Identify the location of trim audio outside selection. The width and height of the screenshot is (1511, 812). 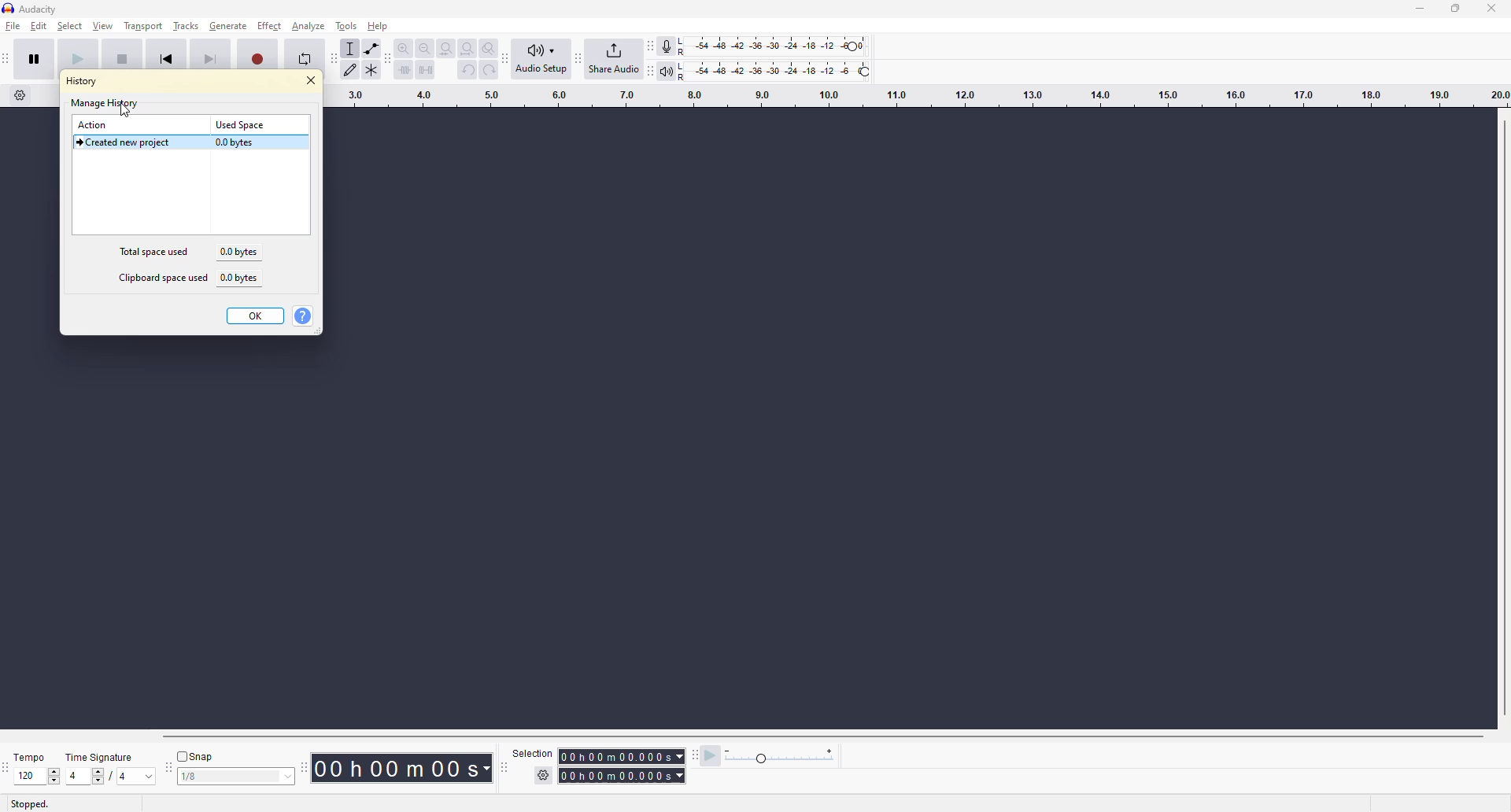
(405, 72).